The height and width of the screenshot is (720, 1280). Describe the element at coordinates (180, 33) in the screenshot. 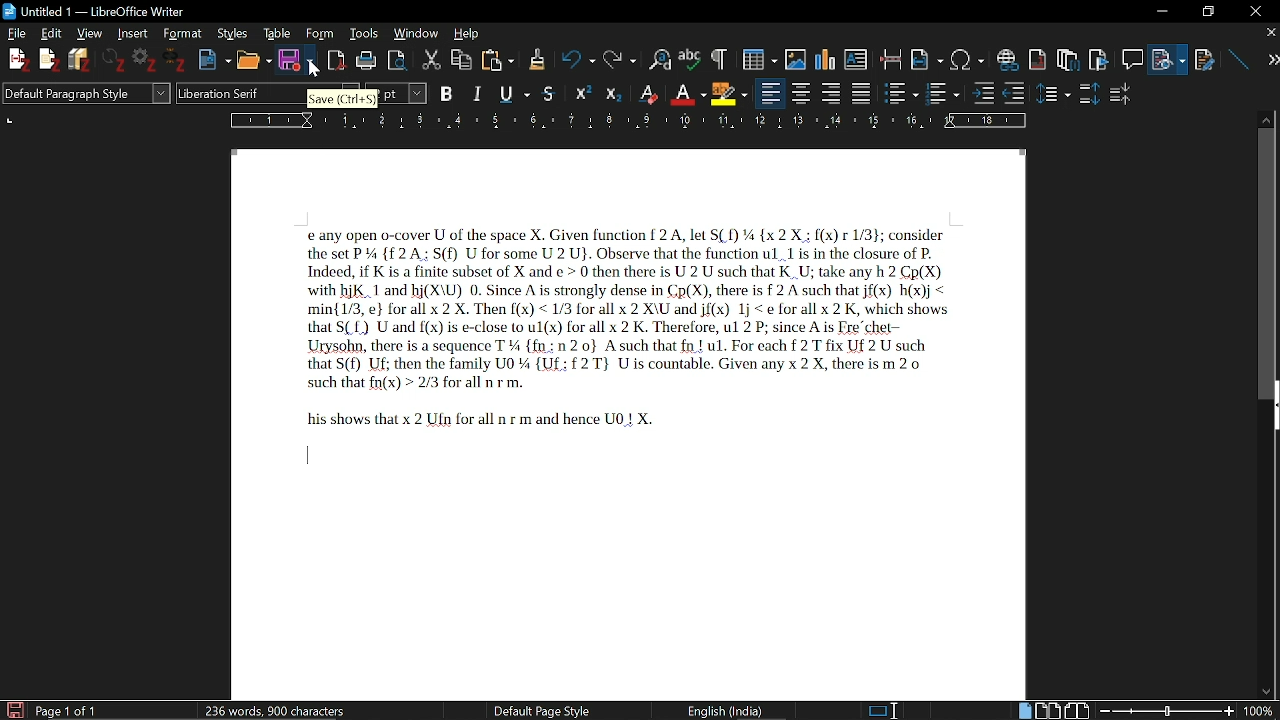

I see `Format` at that location.